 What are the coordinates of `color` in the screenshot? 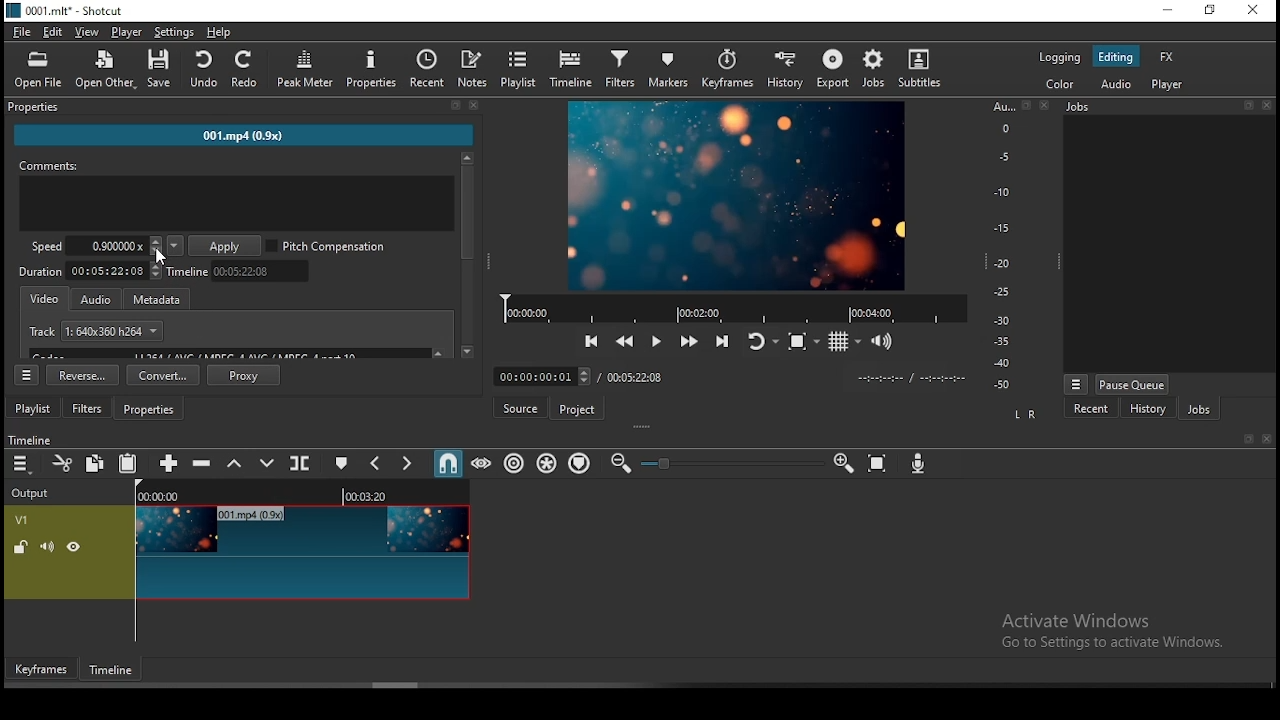 It's located at (1061, 83).